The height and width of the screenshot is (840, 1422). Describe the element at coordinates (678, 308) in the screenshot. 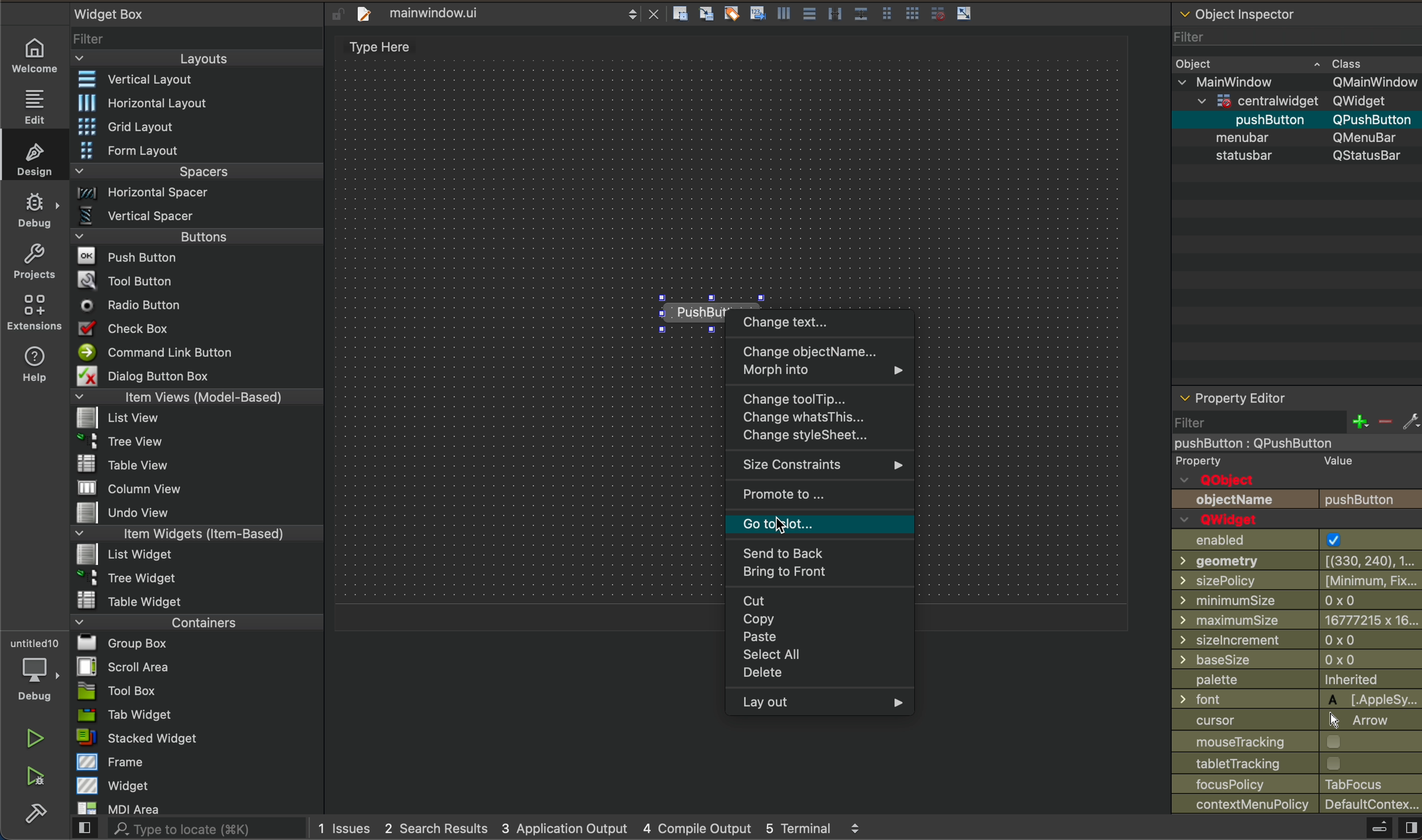

I see `Push button` at that location.